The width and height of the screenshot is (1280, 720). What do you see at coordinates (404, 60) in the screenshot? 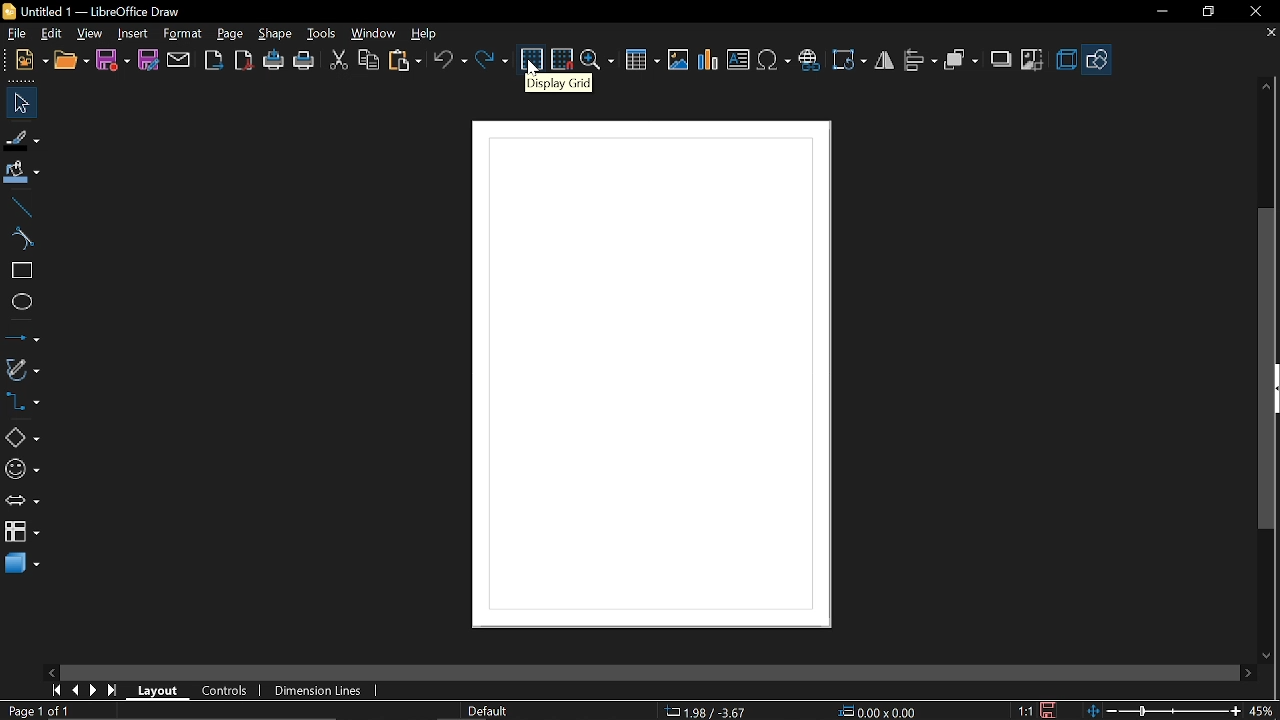
I see `paste` at bounding box center [404, 60].